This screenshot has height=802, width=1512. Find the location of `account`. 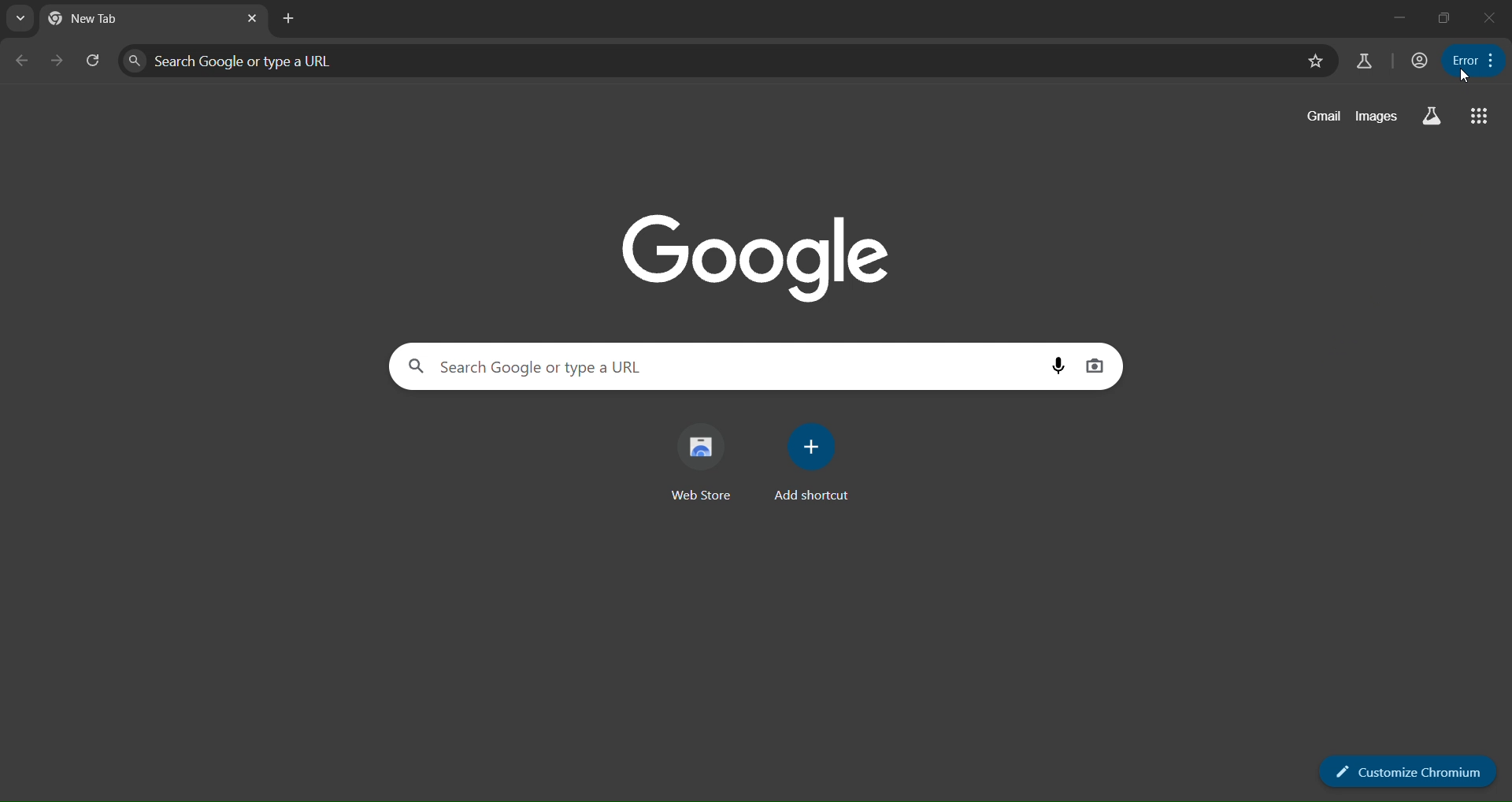

account is located at coordinates (1418, 60).